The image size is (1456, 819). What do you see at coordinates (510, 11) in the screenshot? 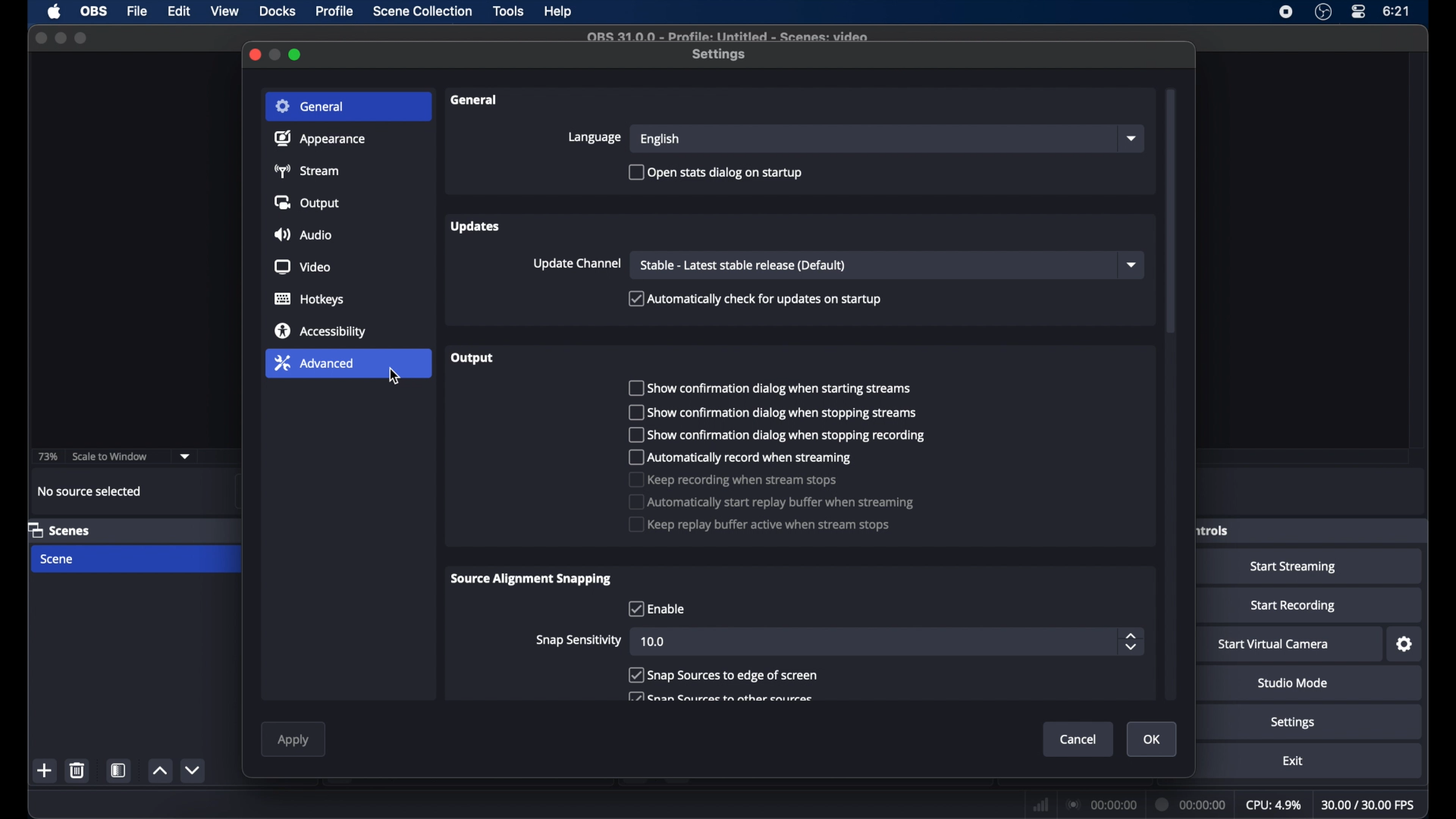
I see `tools` at bounding box center [510, 11].